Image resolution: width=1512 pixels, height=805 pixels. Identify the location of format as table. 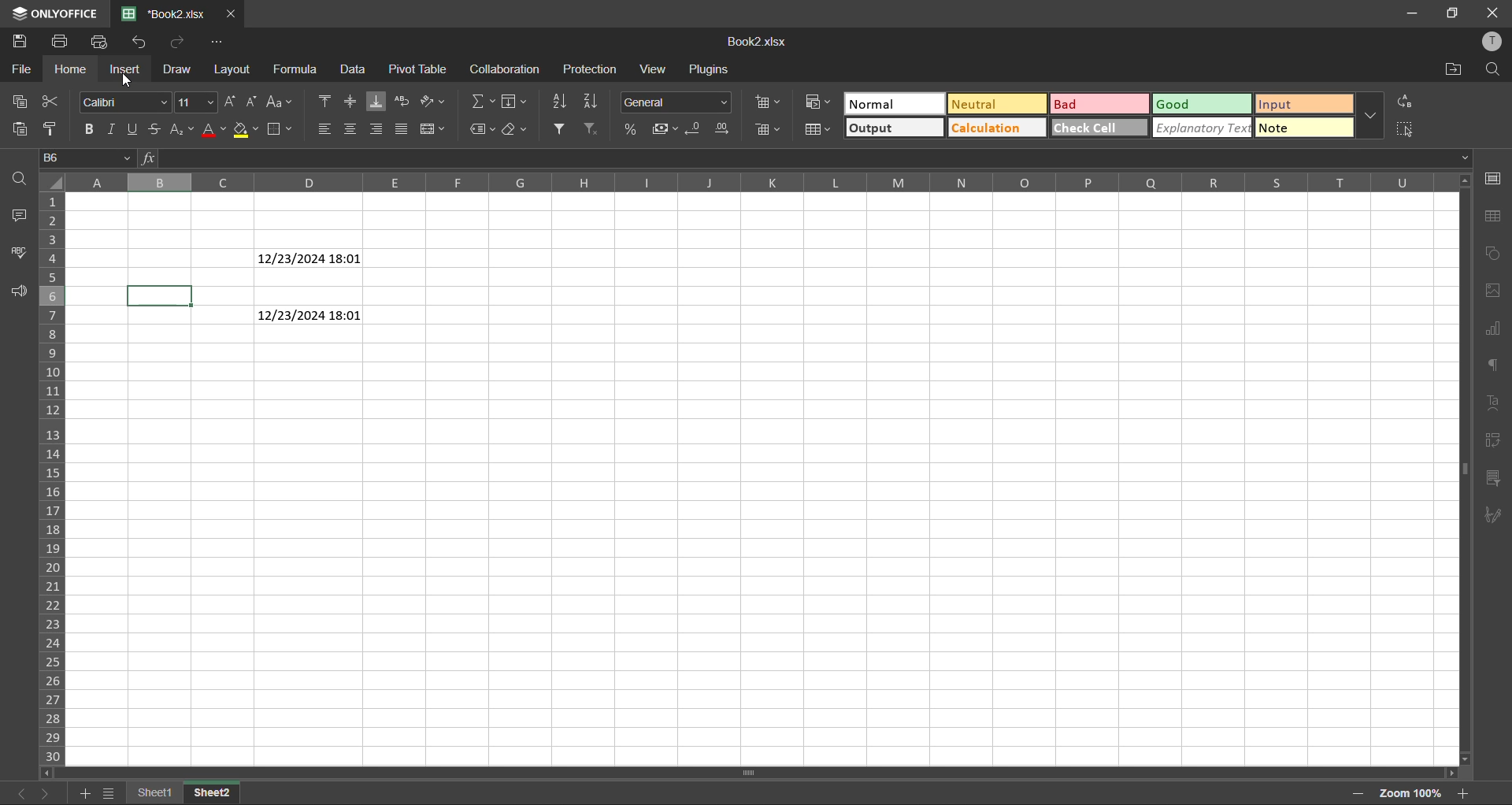
(819, 128).